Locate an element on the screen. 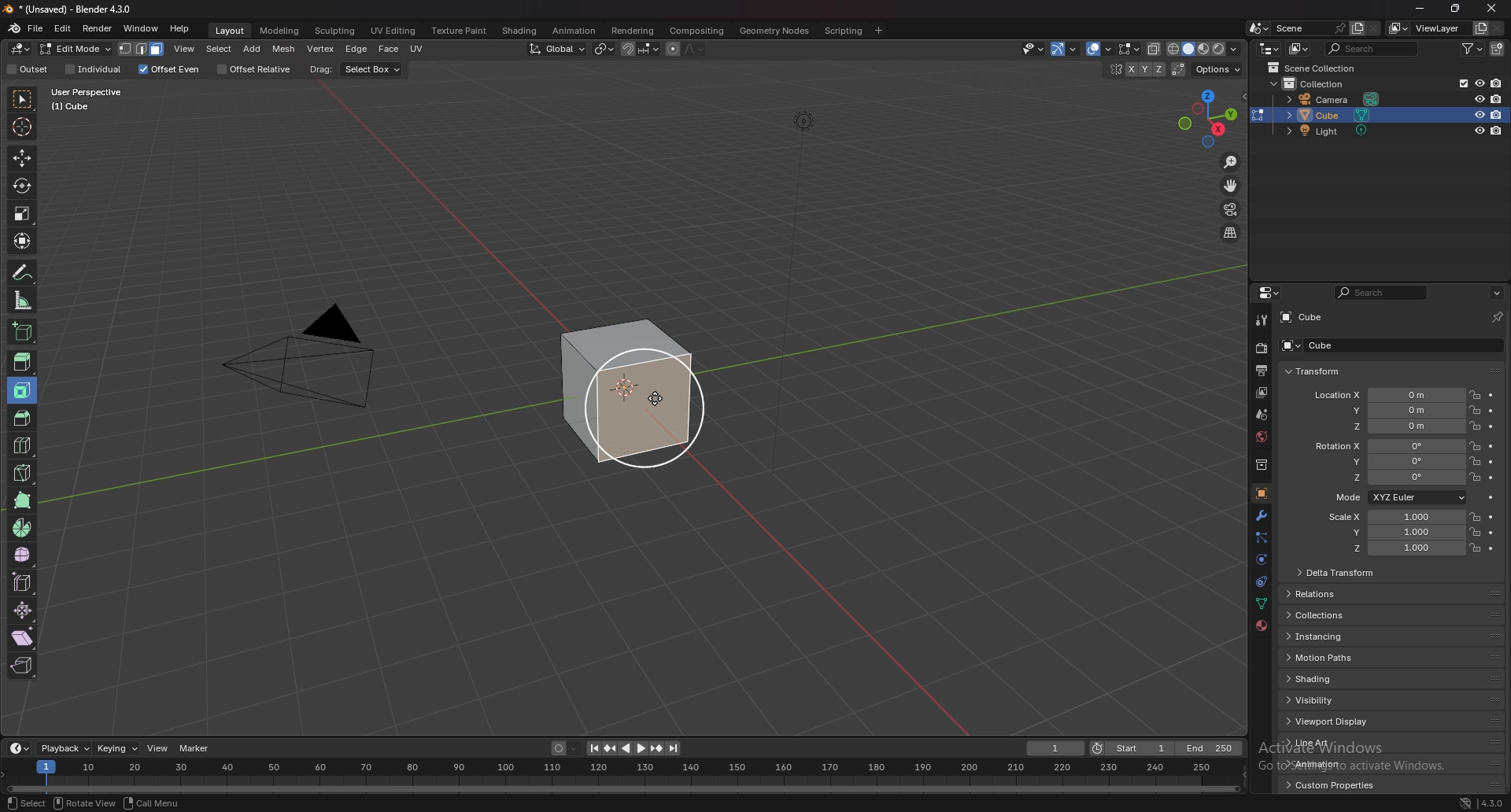 The width and height of the screenshot is (1511, 812). line art is located at coordinates (1329, 743).